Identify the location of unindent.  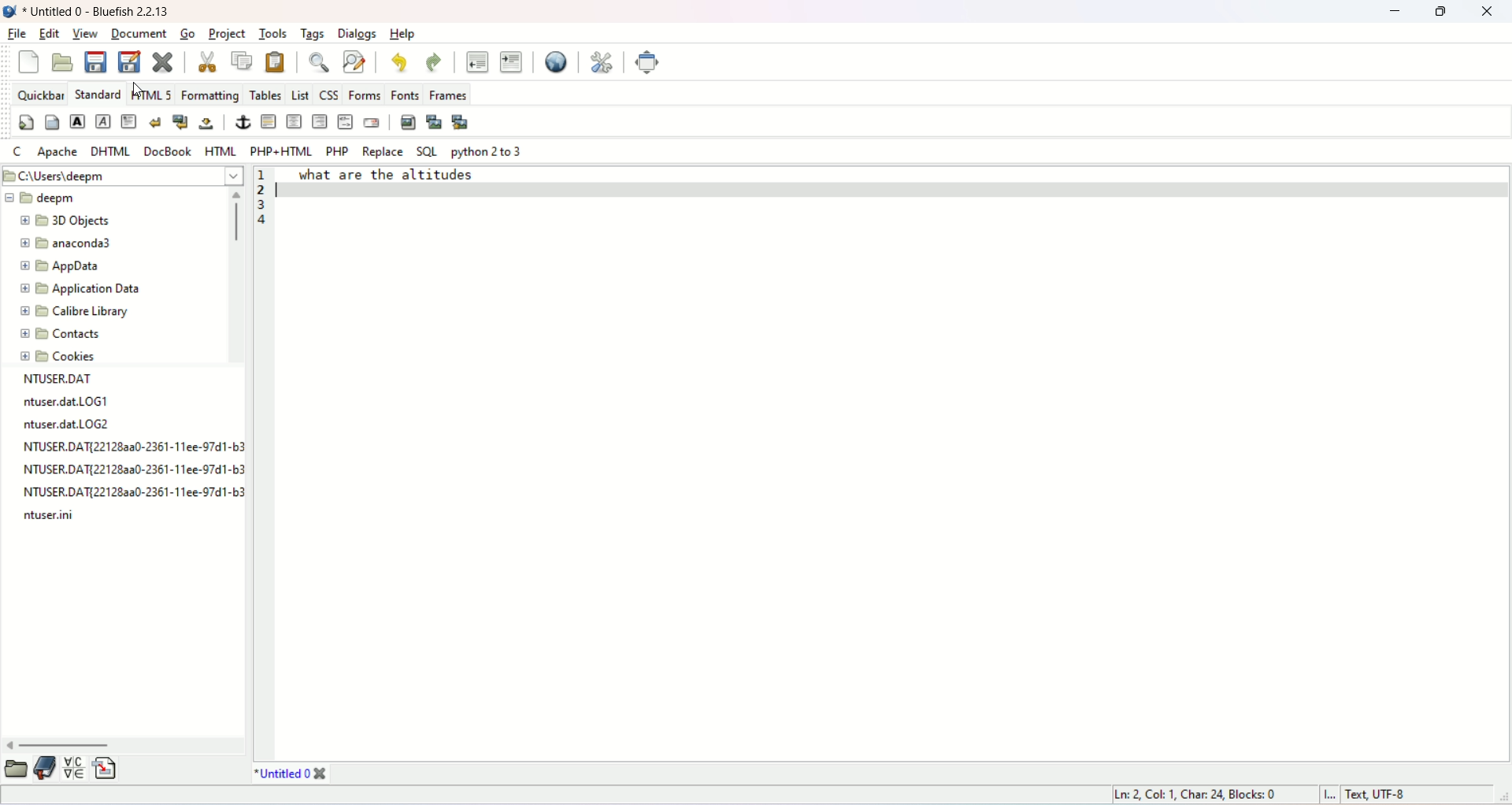
(479, 61).